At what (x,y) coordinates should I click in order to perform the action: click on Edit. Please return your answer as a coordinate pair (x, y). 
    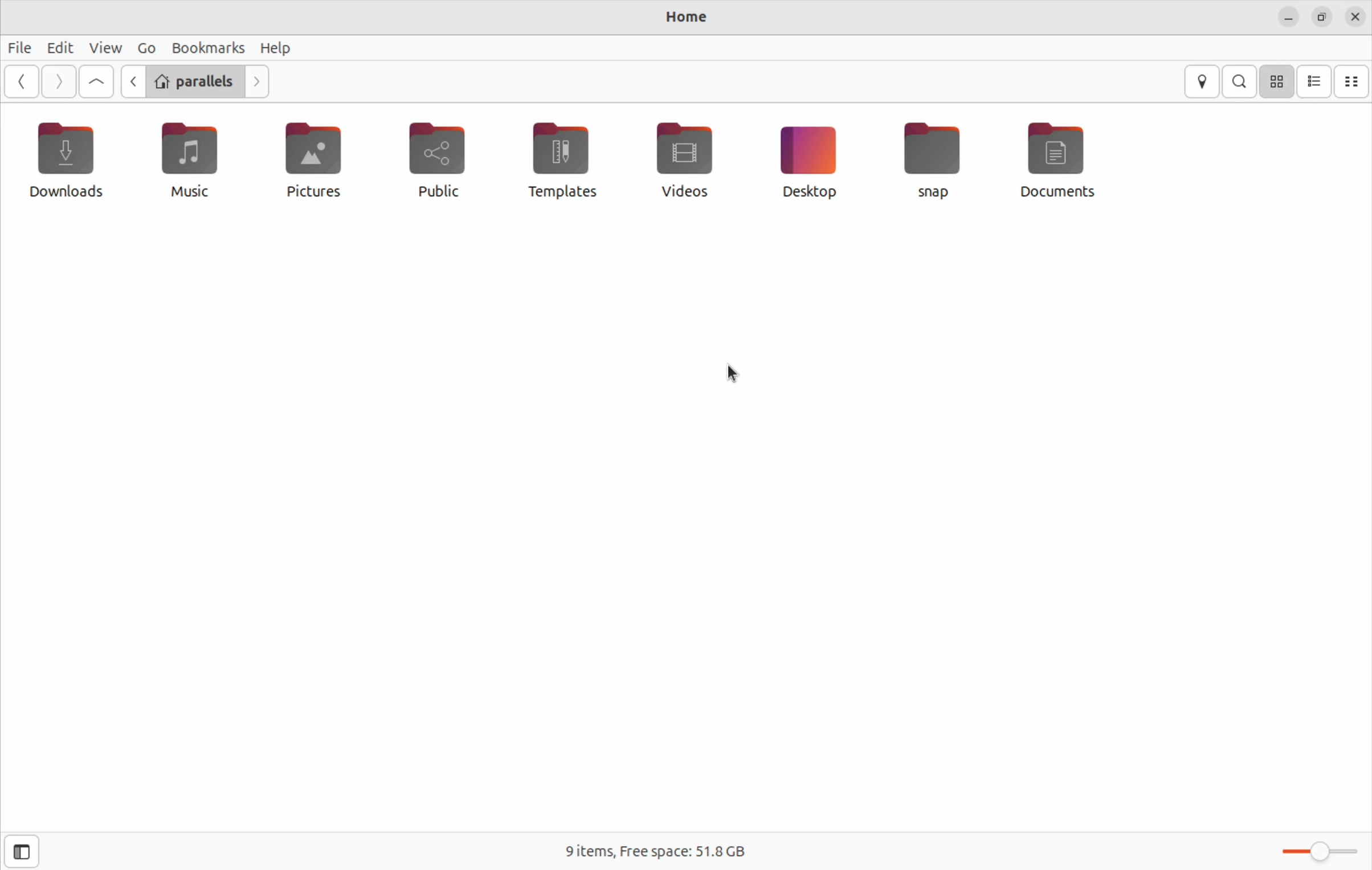
    Looking at the image, I should click on (59, 47).